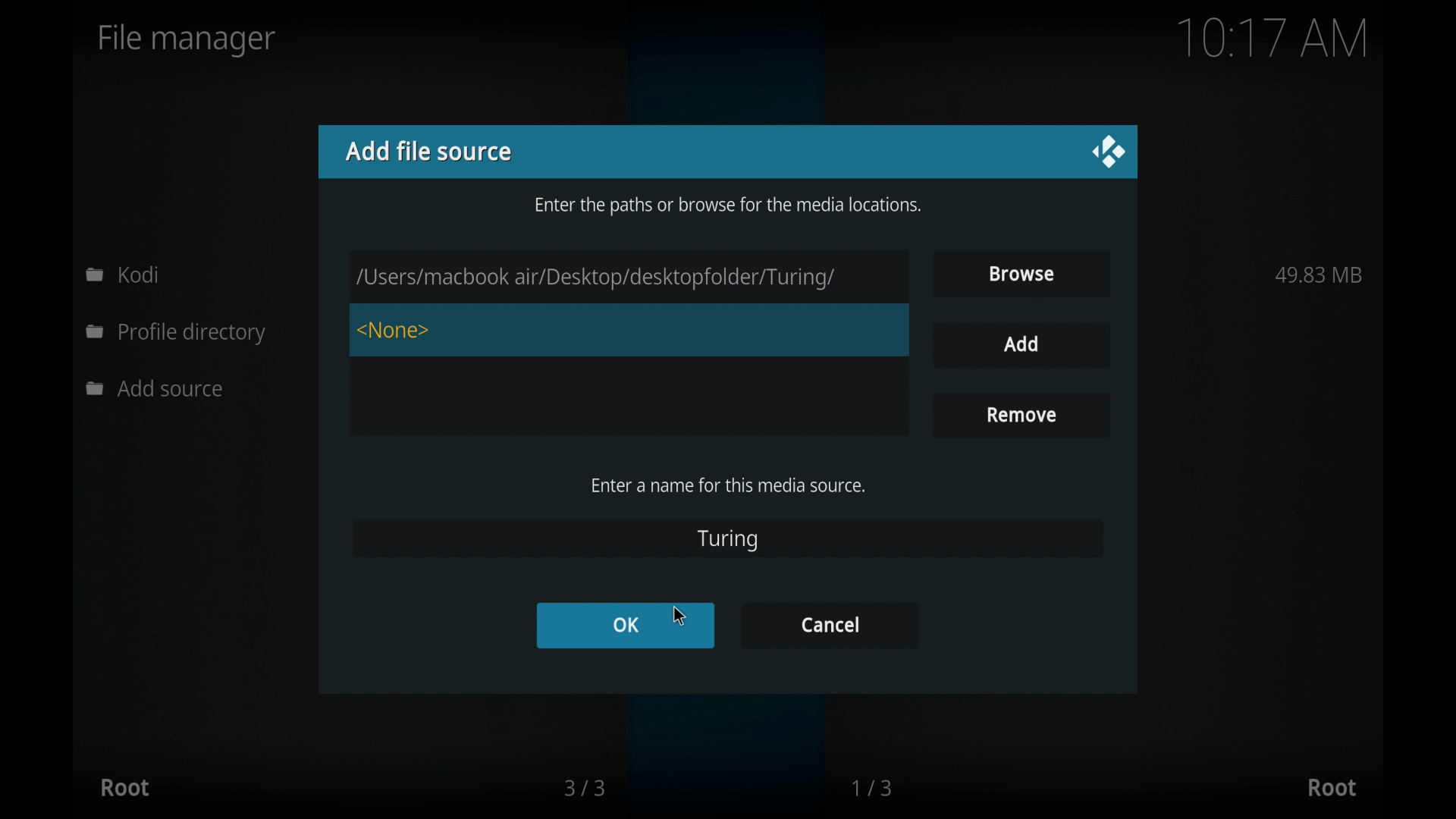  I want to click on enter the paths or browse for the media locations, so click(729, 205).